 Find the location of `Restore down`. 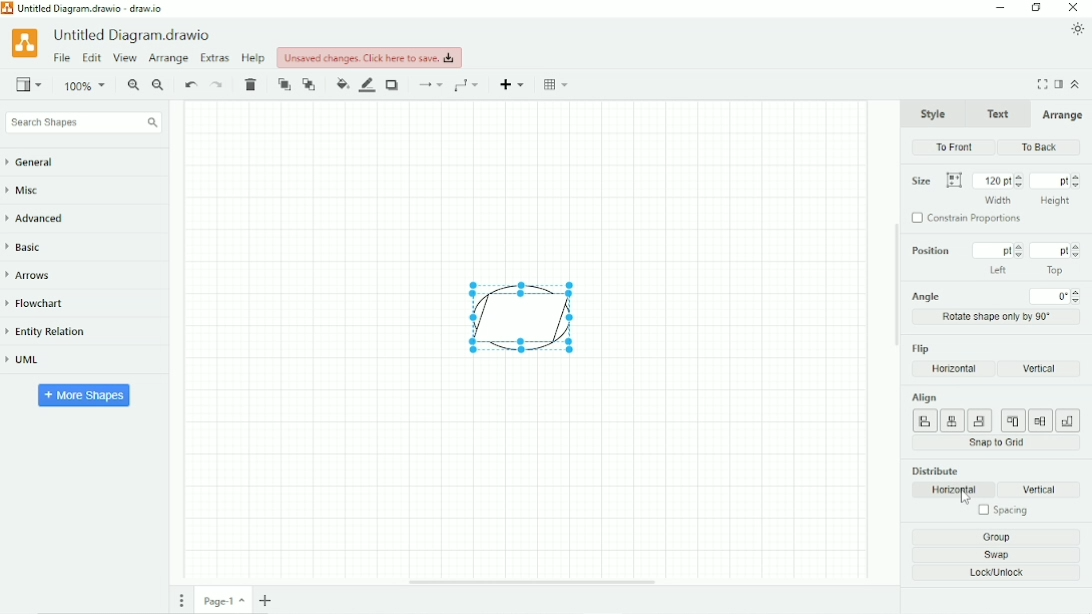

Restore down is located at coordinates (1036, 8).